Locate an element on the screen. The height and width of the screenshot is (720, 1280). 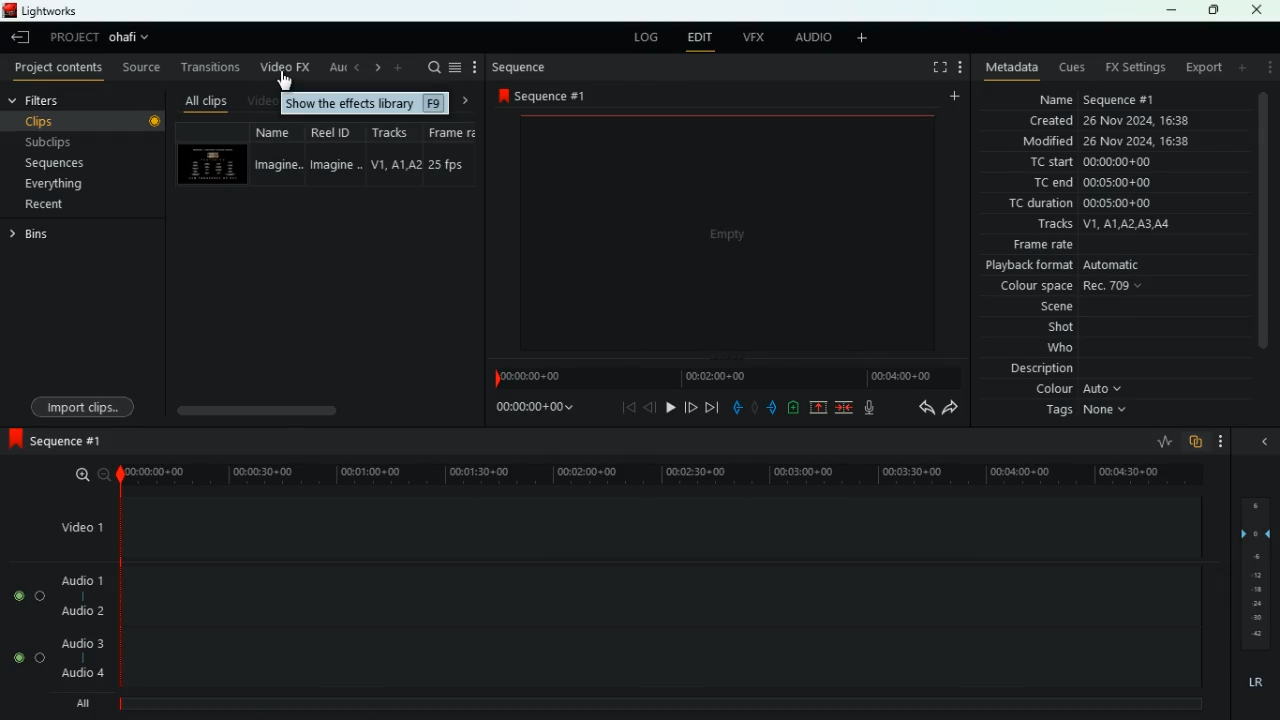
cues is located at coordinates (1073, 68).